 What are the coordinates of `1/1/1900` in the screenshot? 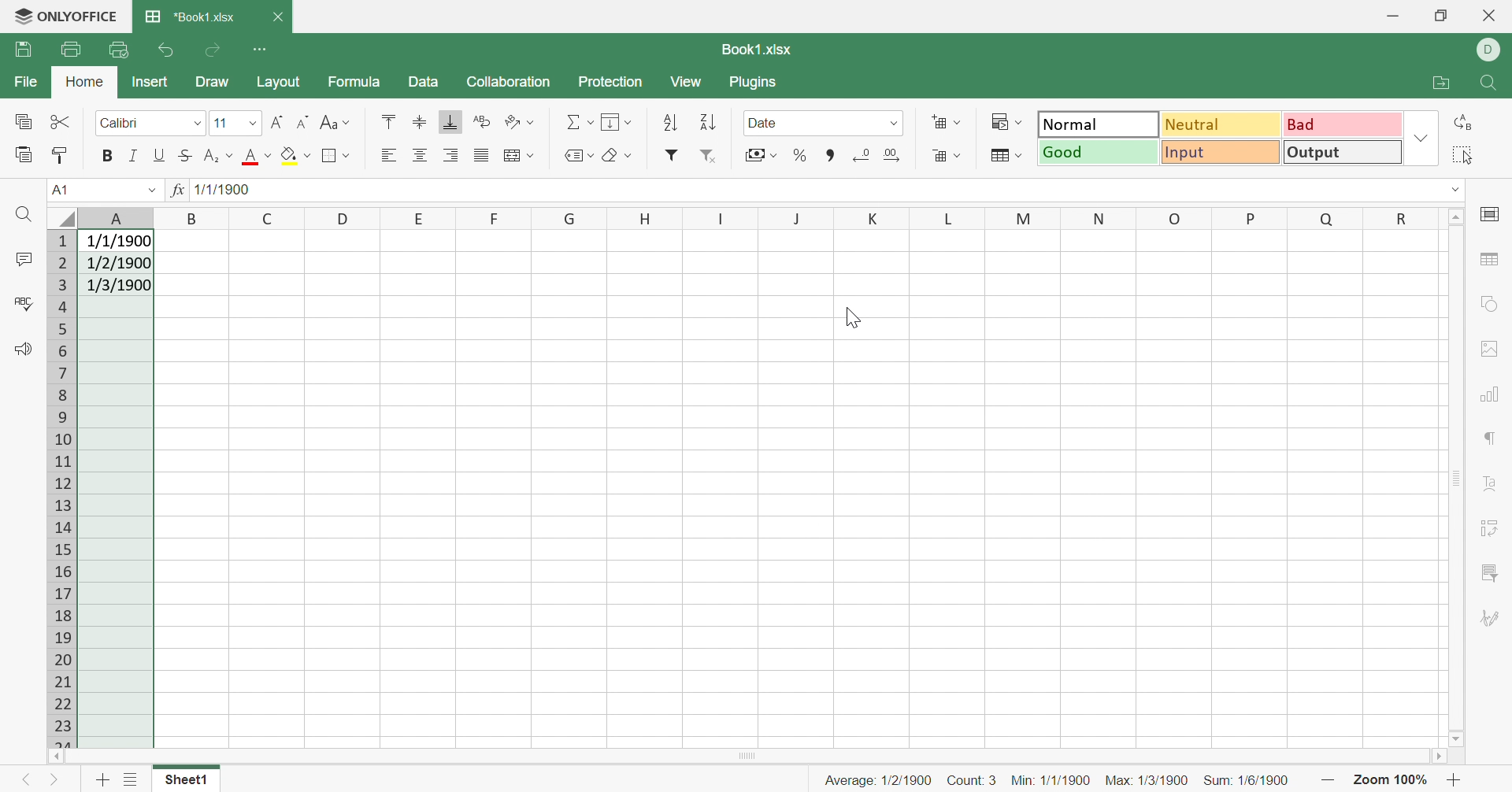 It's located at (223, 187).